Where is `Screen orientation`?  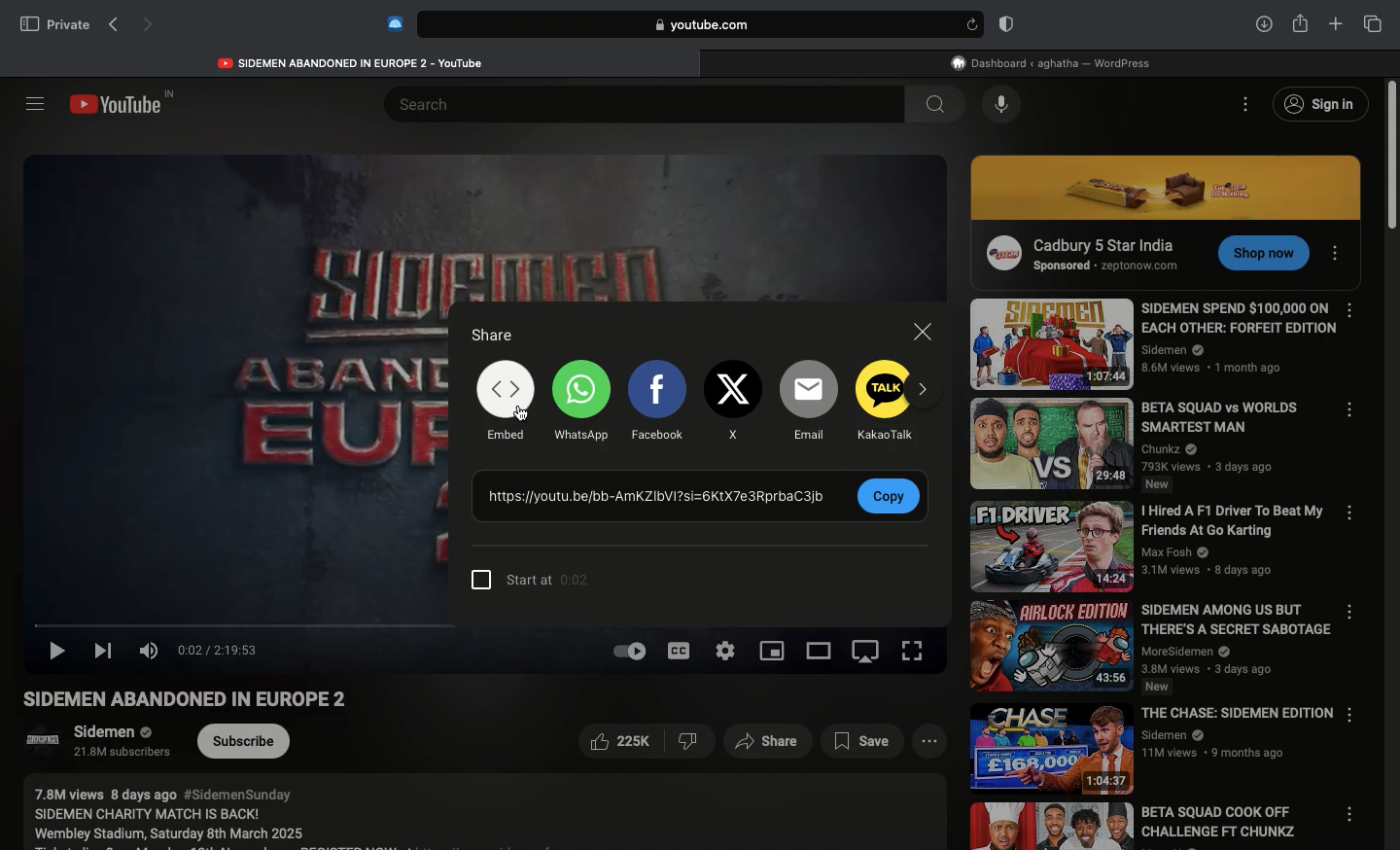 Screen orientation is located at coordinates (869, 655).